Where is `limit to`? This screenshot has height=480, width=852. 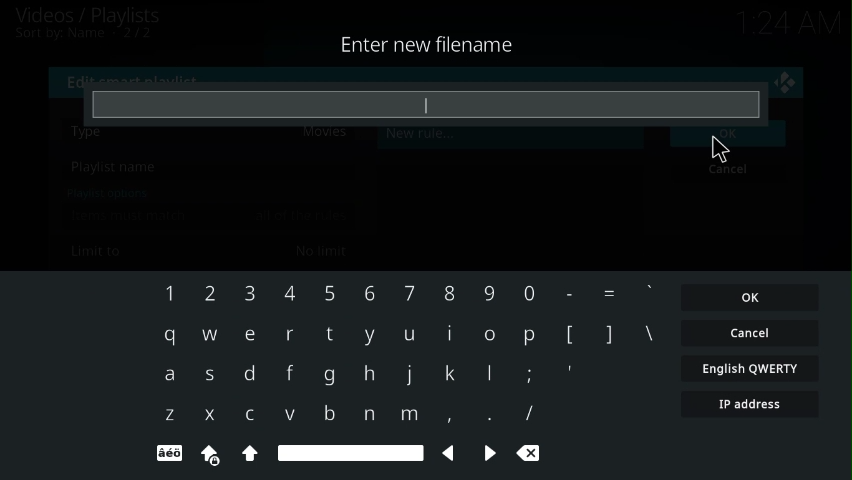
limit to is located at coordinates (99, 252).